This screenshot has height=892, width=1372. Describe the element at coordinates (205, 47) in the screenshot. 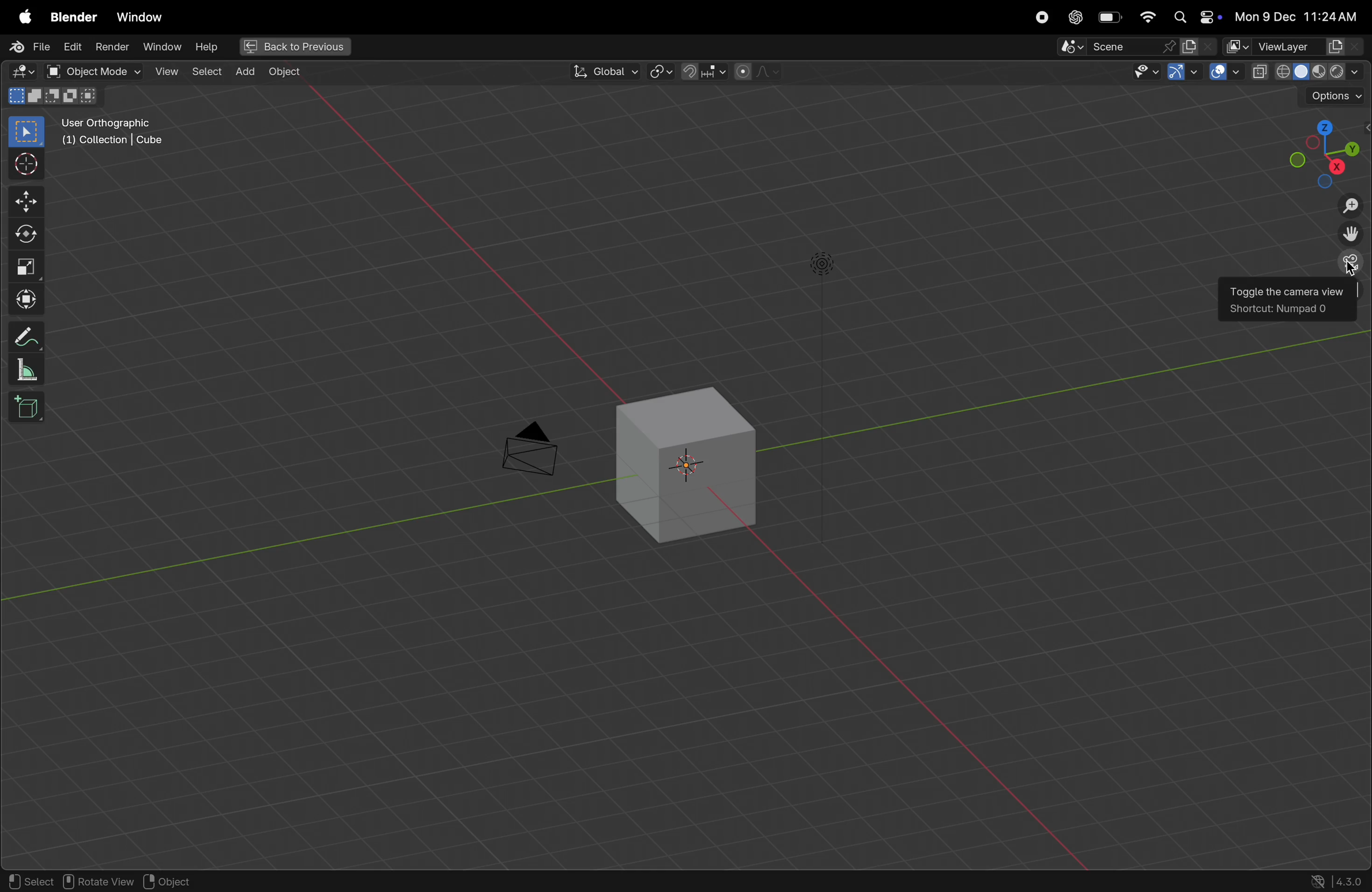

I see `help` at that location.